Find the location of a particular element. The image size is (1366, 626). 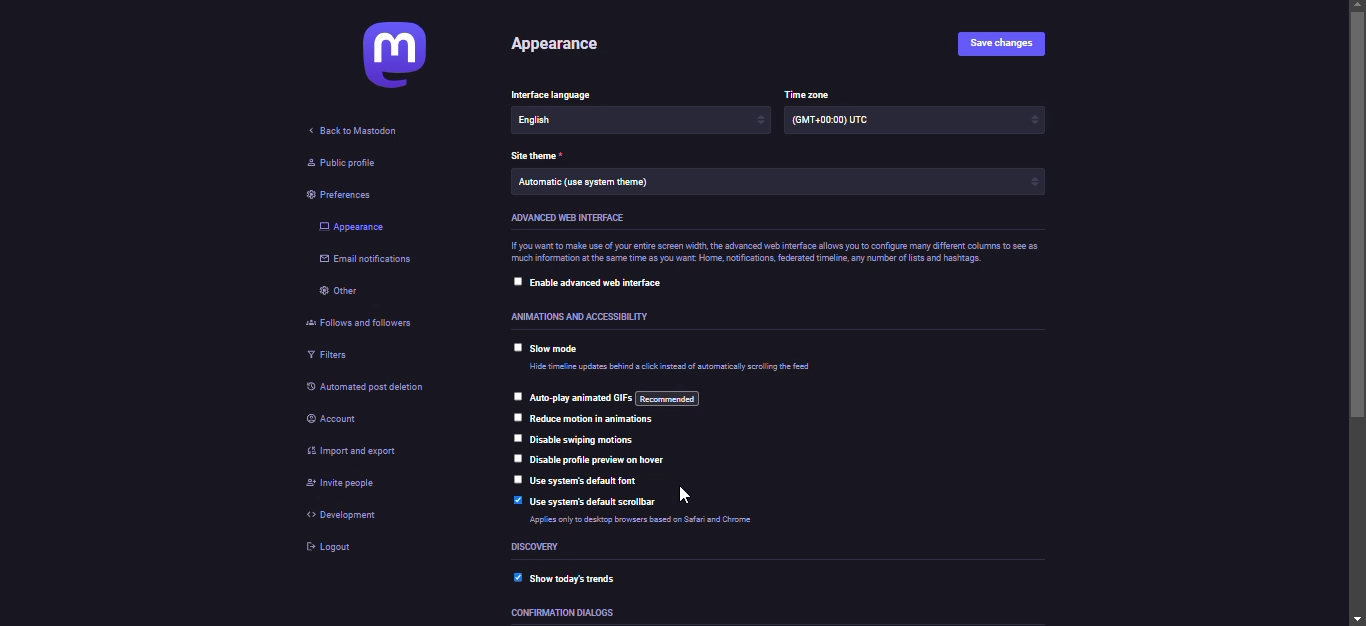

save changes is located at coordinates (998, 43).